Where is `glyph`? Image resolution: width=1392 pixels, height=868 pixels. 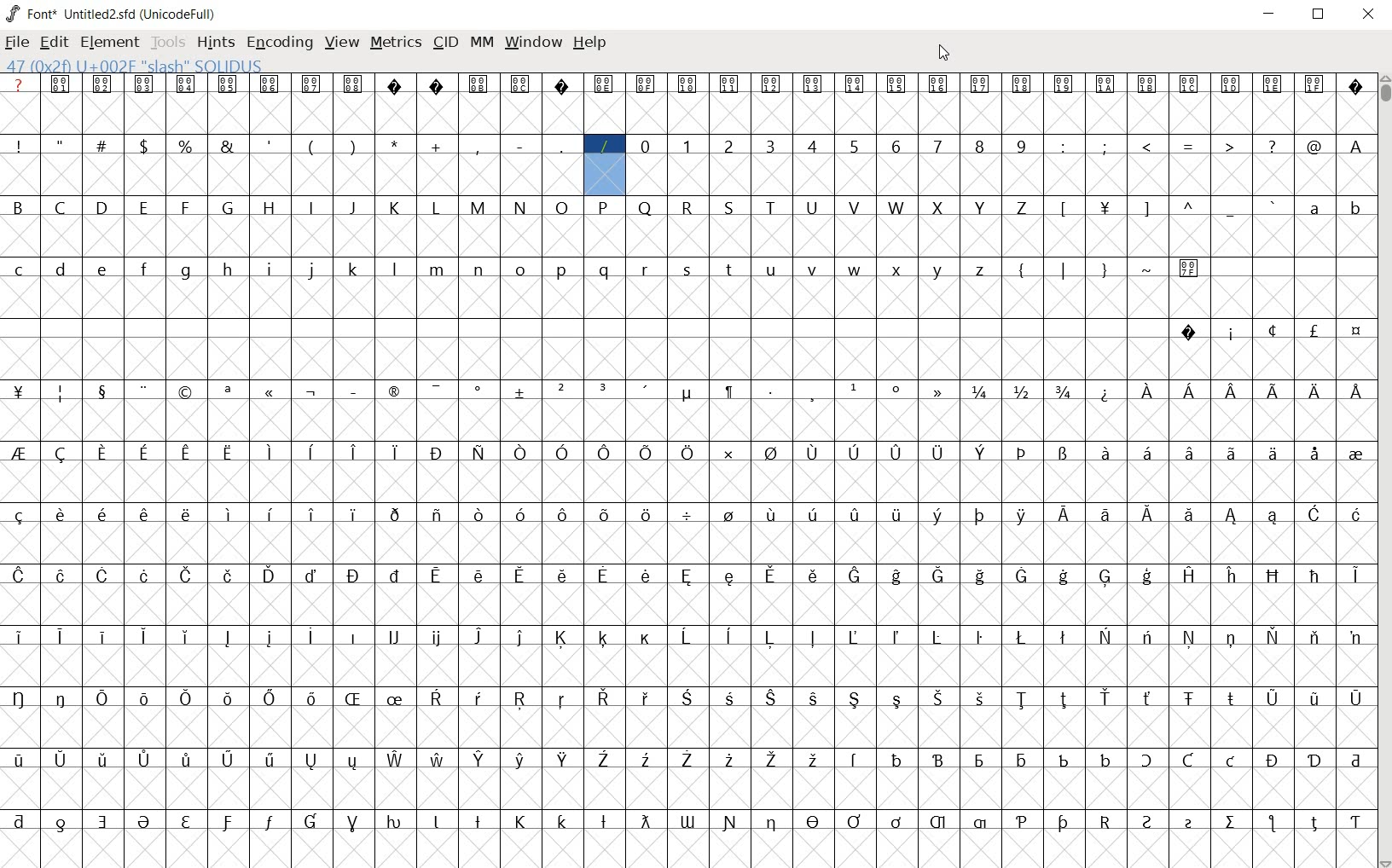 glyph is located at coordinates (61, 84).